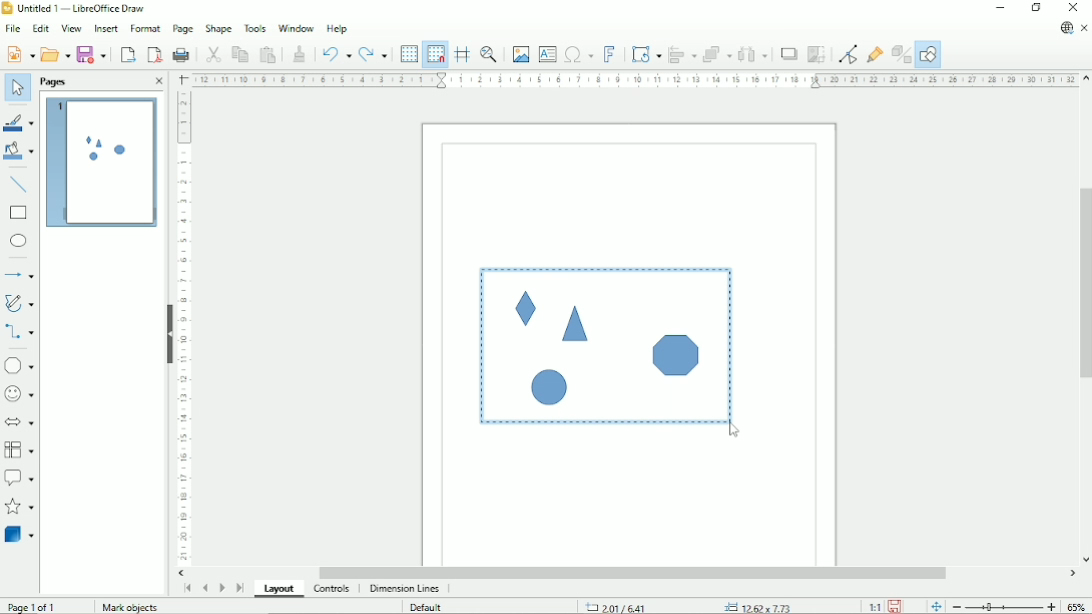 This screenshot has width=1092, height=614. Describe the element at coordinates (206, 586) in the screenshot. I see `Scroll to previous page` at that location.